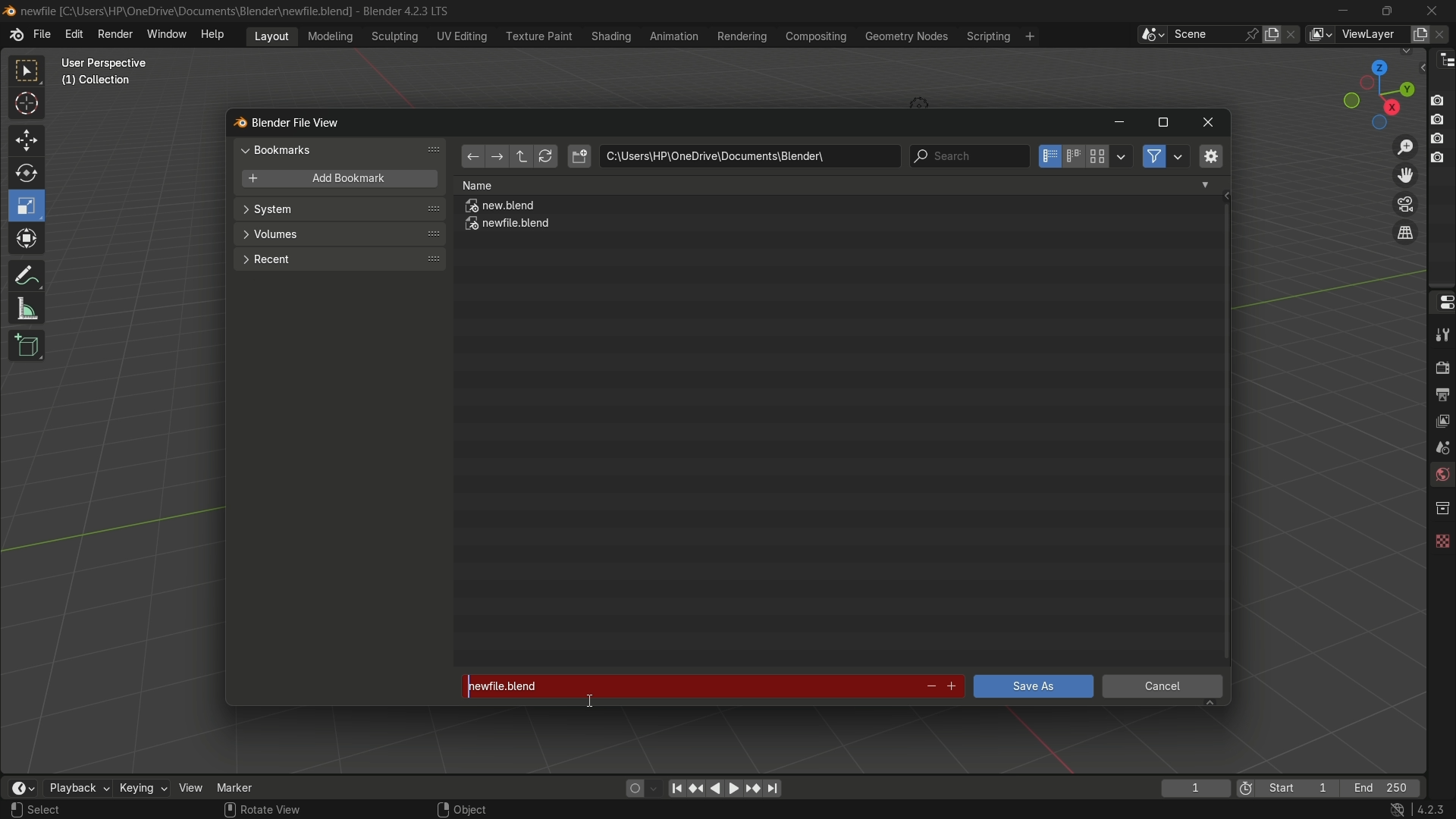 The width and height of the screenshot is (1456, 819). Describe the element at coordinates (773, 789) in the screenshot. I see `jump to endpoint` at that location.